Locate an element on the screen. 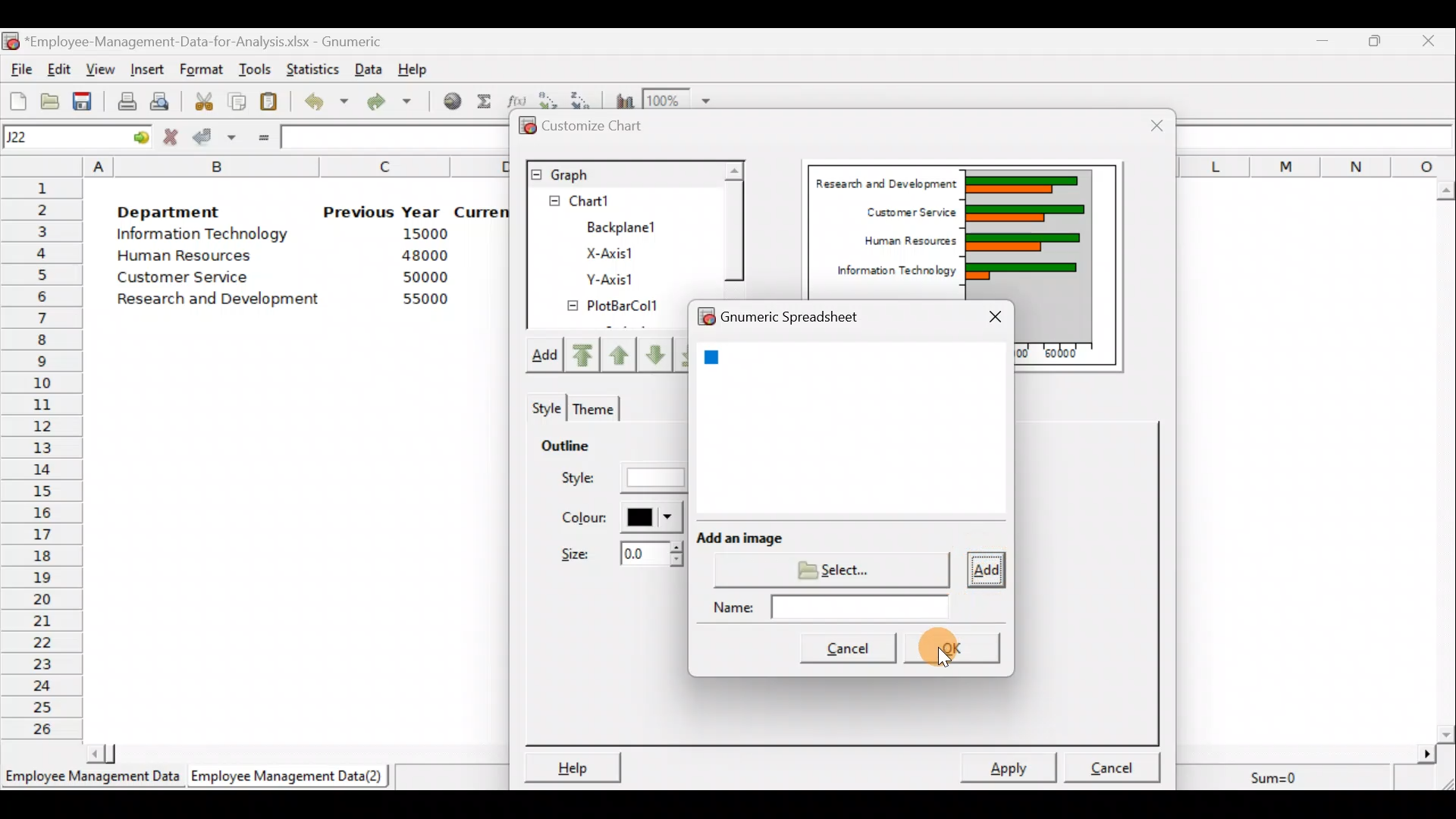  Move up is located at coordinates (620, 353).